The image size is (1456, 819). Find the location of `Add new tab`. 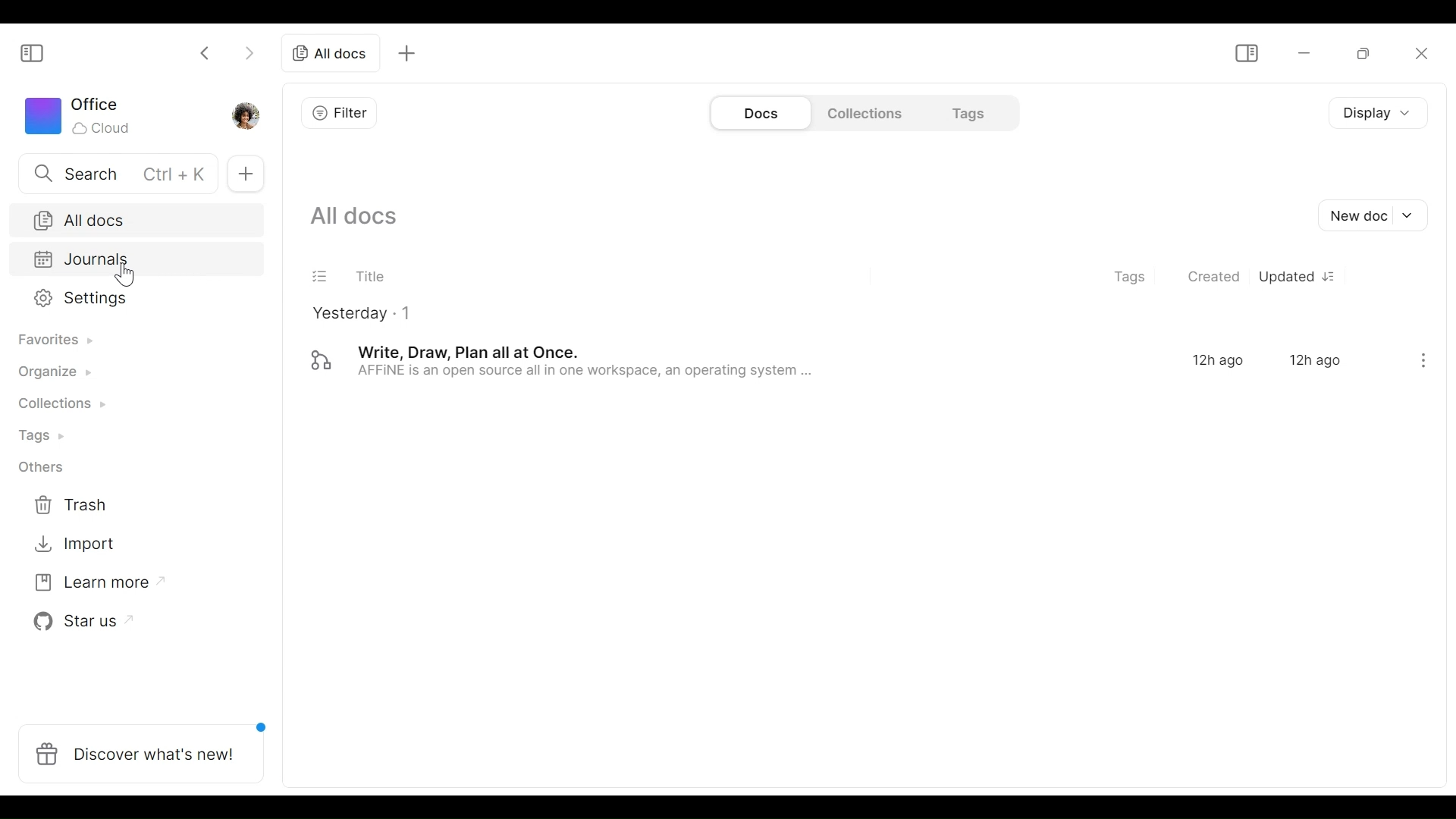

Add new tab is located at coordinates (406, 54).